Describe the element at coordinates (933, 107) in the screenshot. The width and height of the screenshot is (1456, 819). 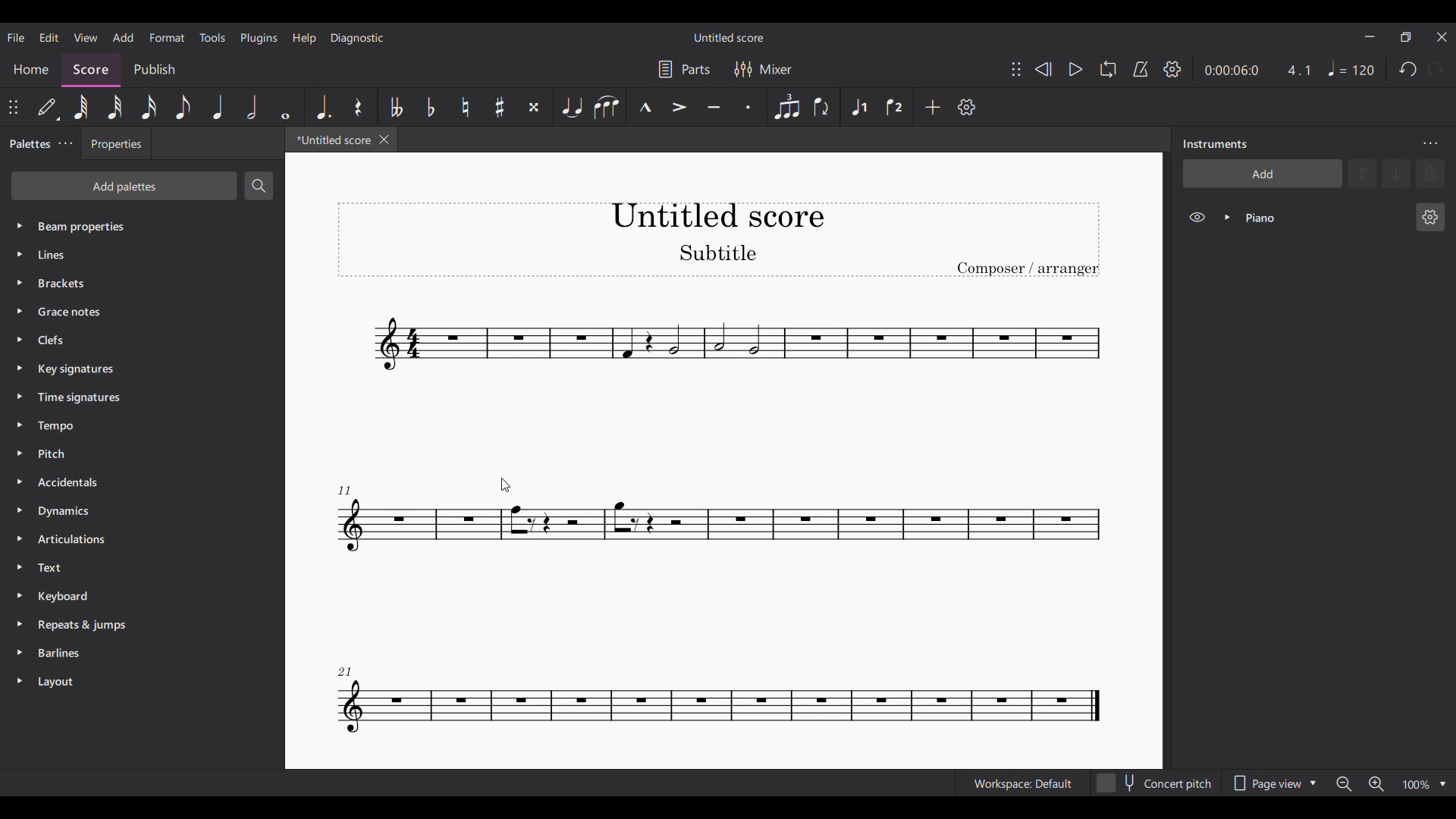
I see `Add` at that location.